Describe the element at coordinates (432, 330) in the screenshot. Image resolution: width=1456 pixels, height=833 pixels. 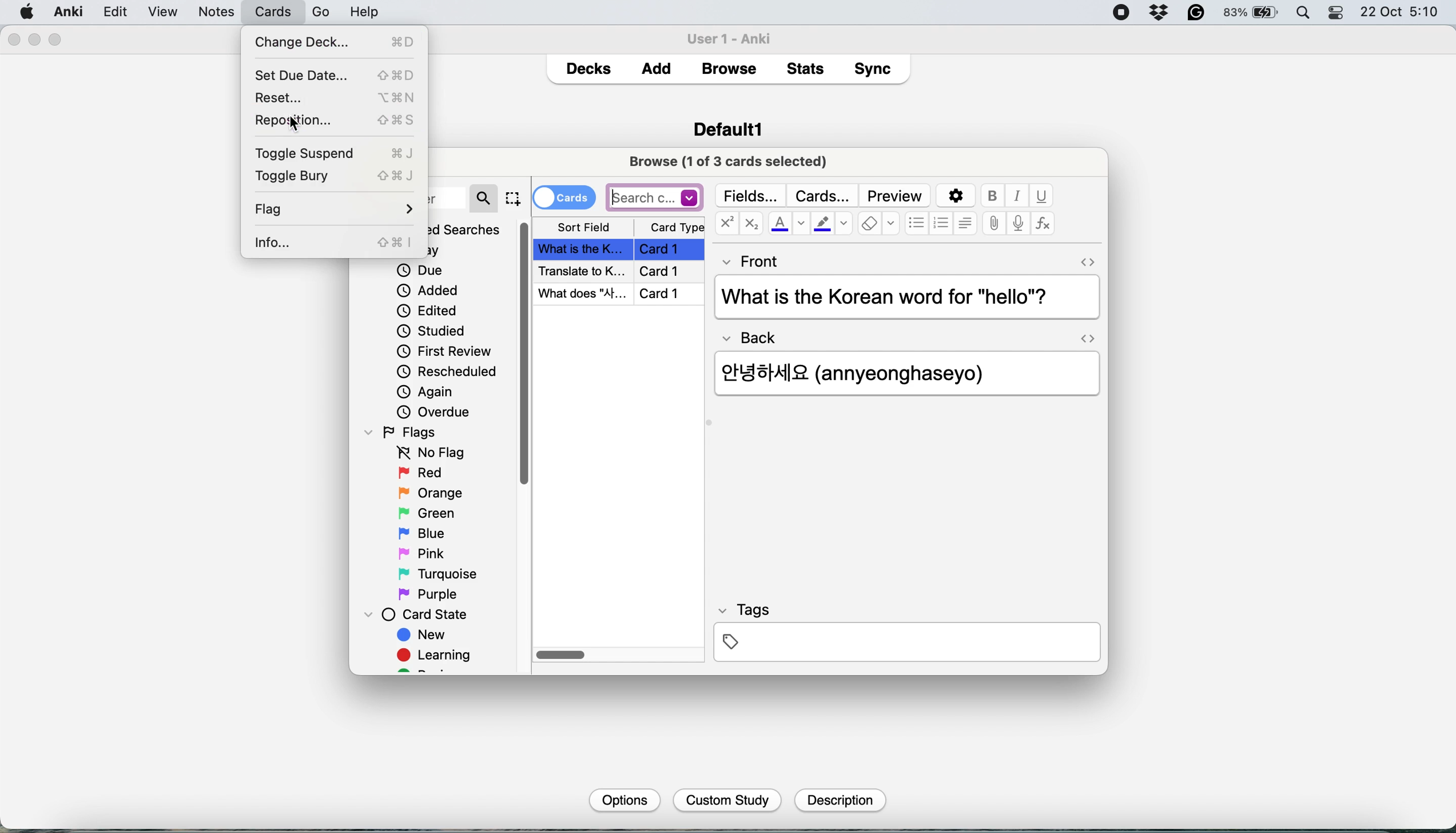
I see `studied` at that location.